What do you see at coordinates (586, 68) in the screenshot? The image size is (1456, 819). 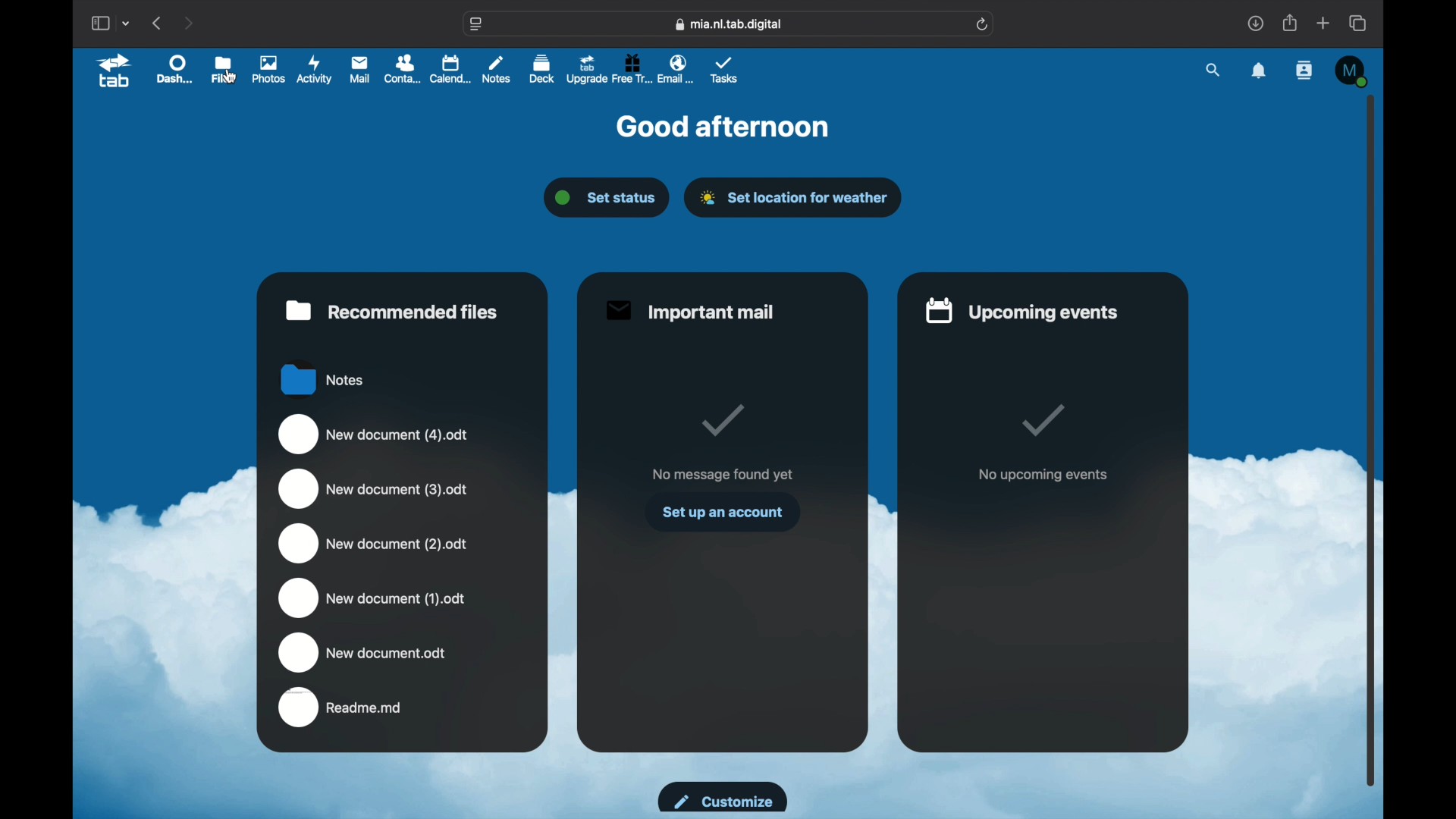 I see `upgrade` at bounding box center [586, 68].